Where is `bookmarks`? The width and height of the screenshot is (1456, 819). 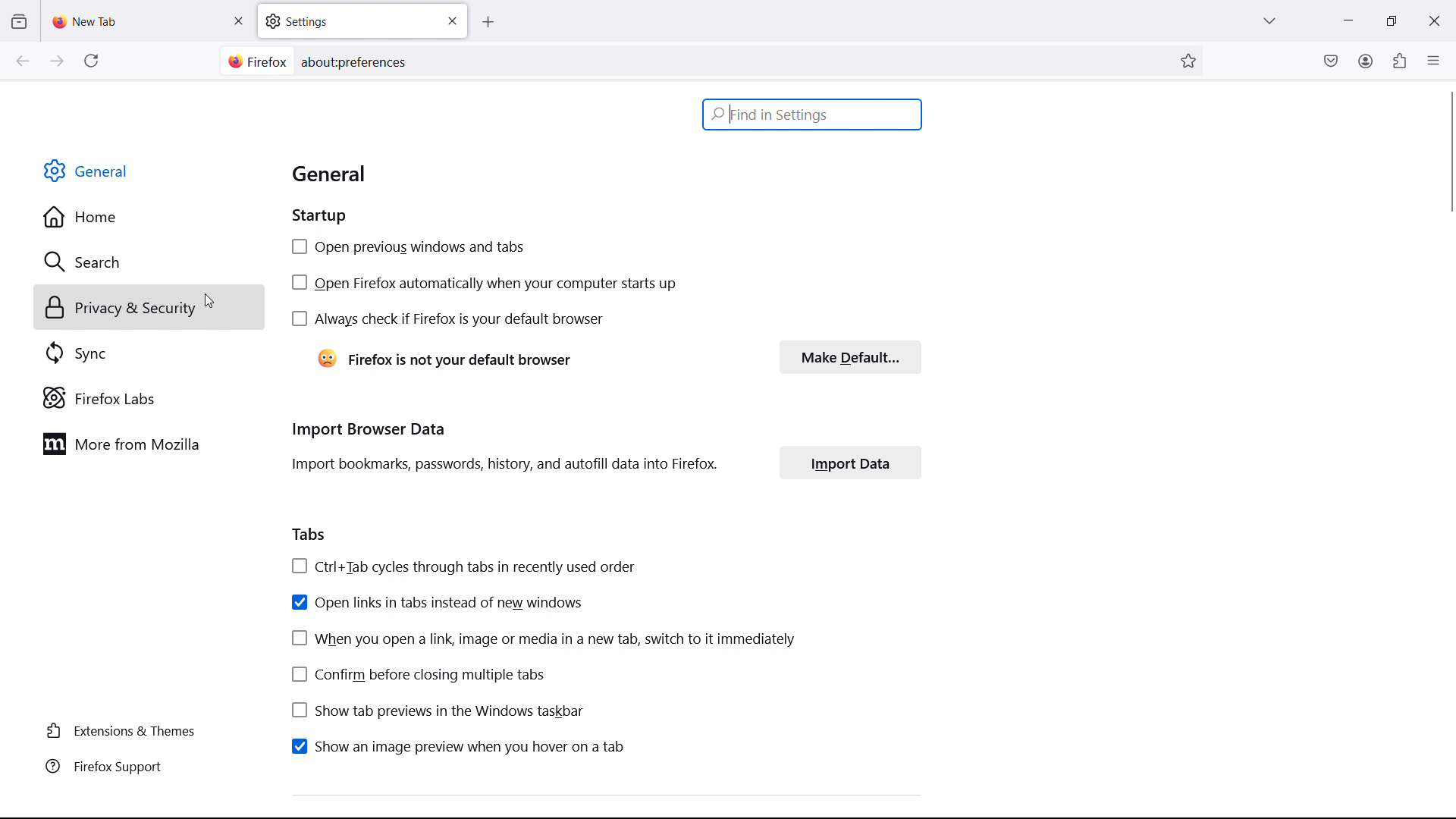 bookmarks is located at coordinates (1190, 60).